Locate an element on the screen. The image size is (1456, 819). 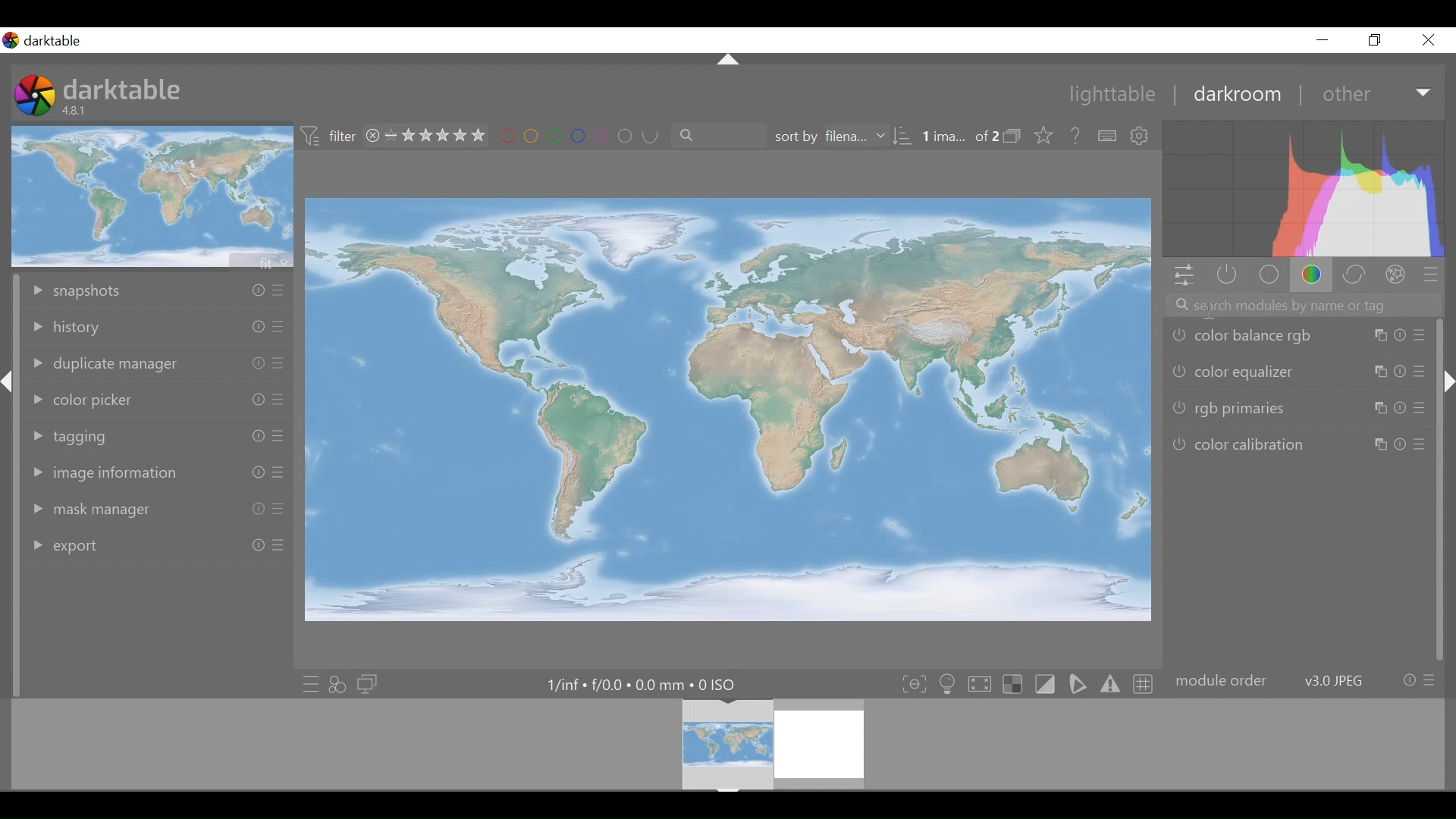
collapse grouped image is located at coordinates (1014, 136).